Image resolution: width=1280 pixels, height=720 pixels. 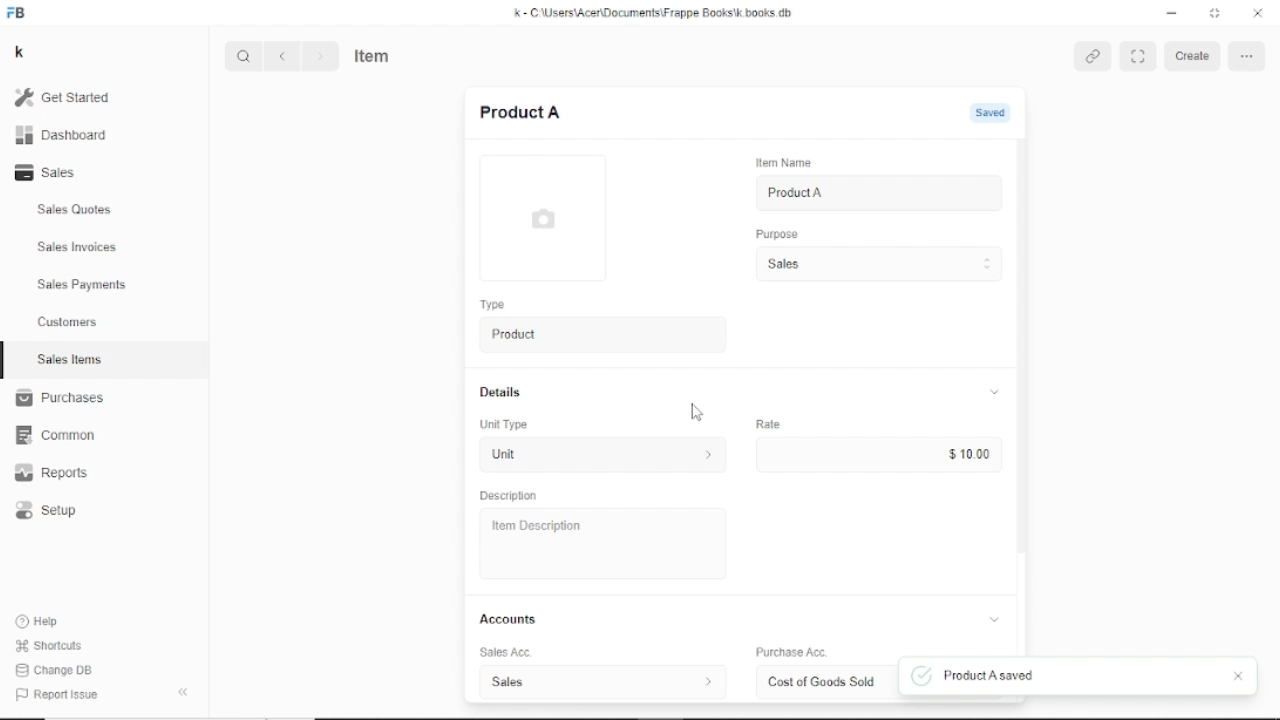 What do you see at coordinates (1023, 345) in the screenshot?
I see `Vertical scrollbar` at bounding box center [1023, 345].